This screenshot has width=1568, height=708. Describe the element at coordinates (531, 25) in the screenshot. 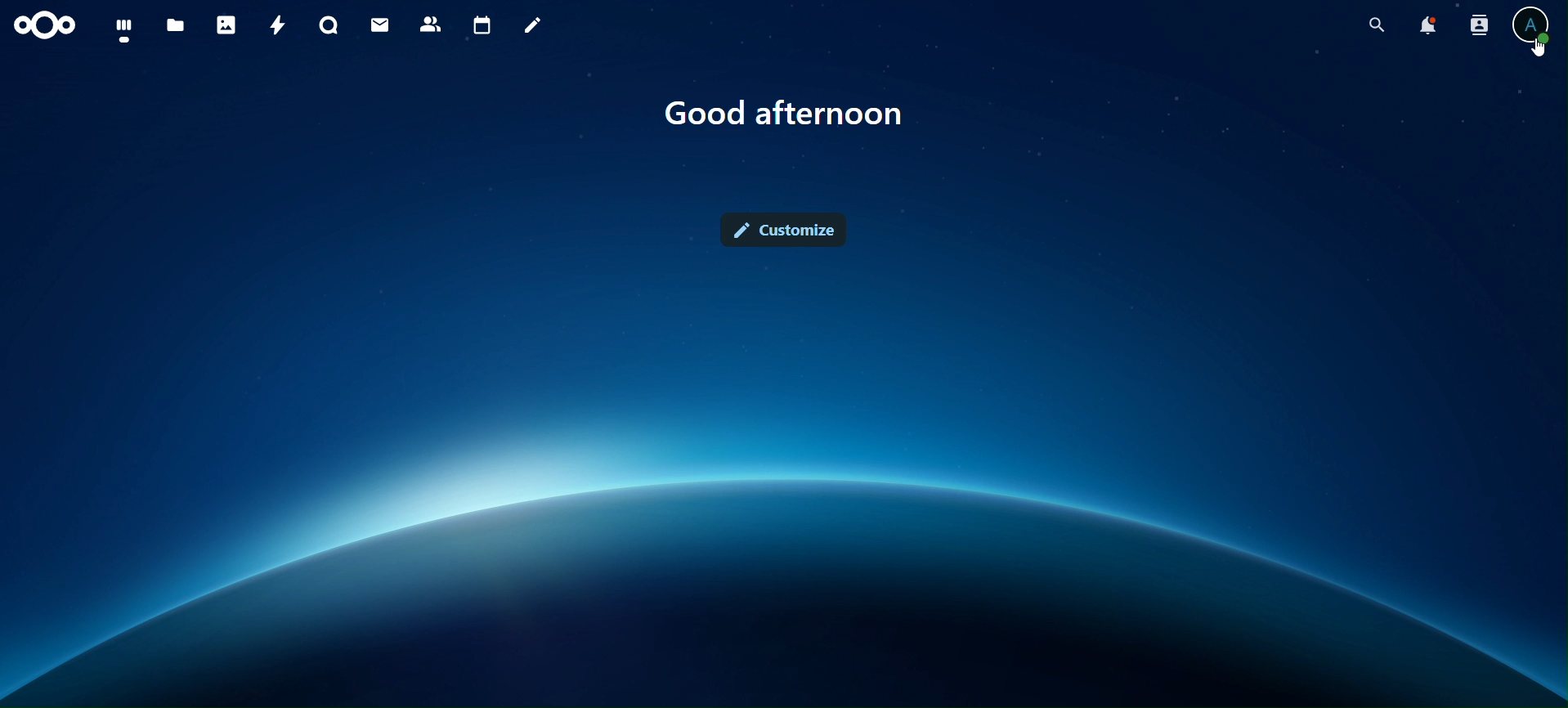

I see `notes` at that location.